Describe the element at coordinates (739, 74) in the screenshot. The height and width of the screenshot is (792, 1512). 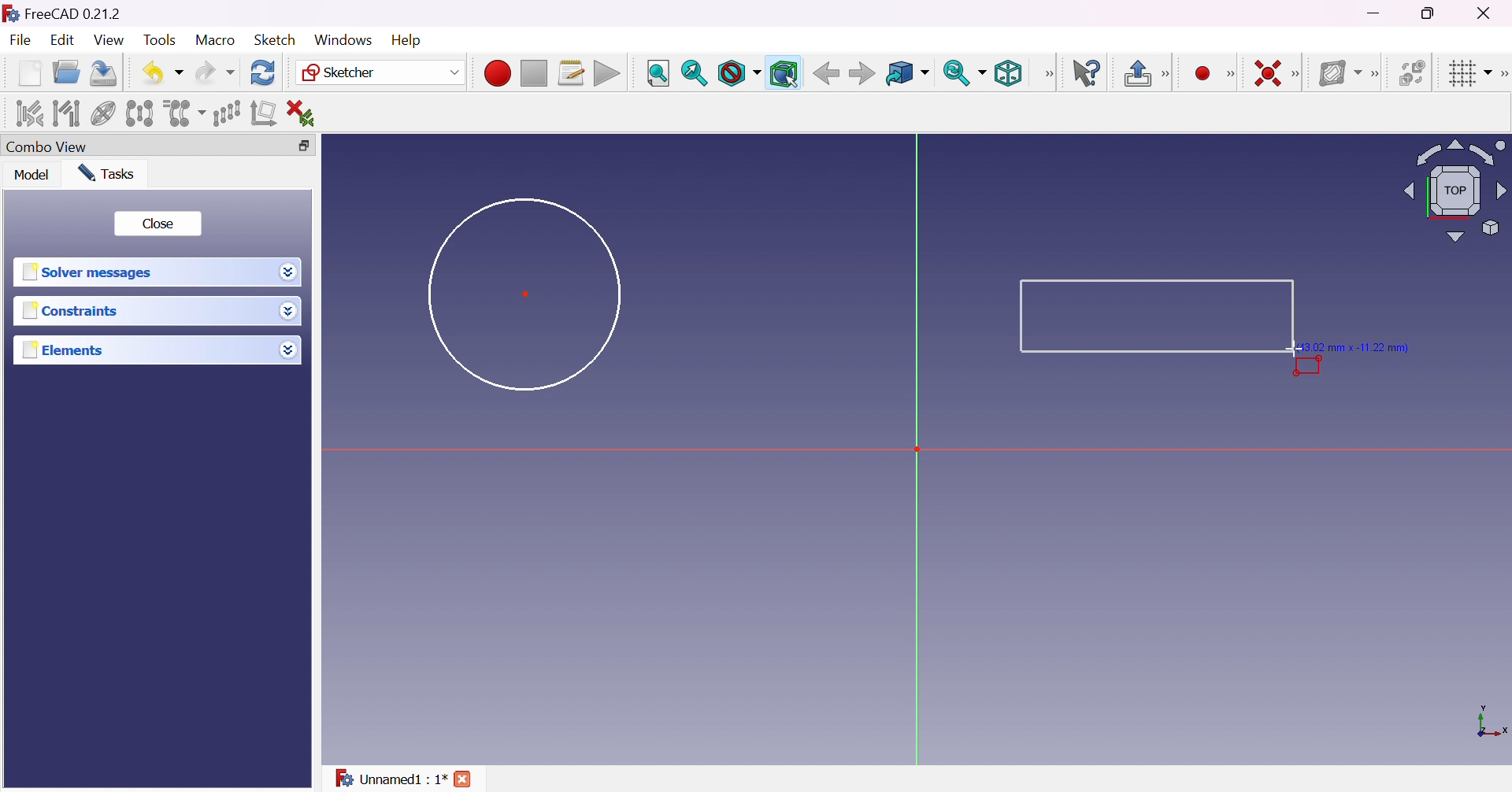
I see `Draw style` at that location.